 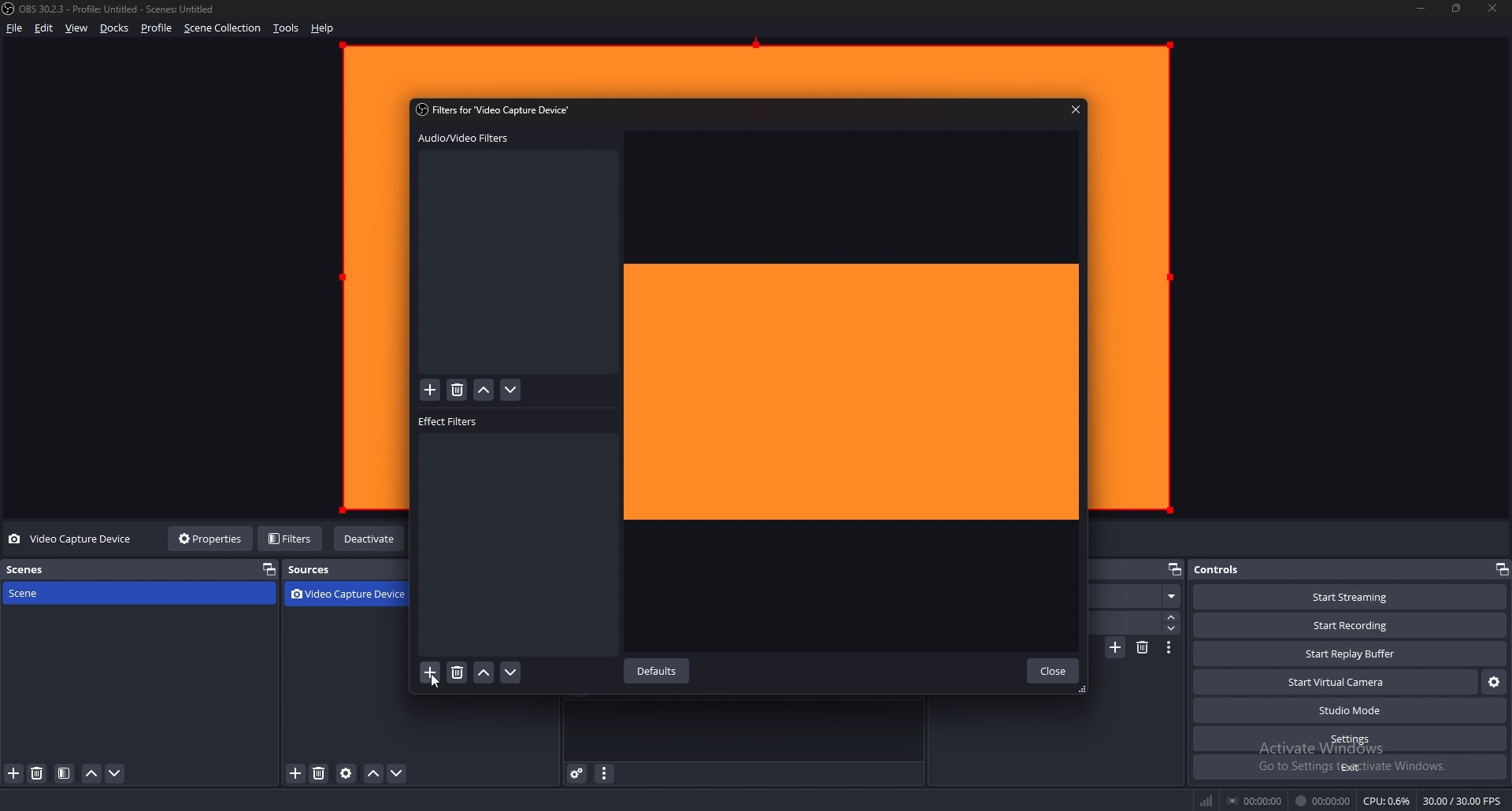 I want to click on delete, so click(x=458, y=391).